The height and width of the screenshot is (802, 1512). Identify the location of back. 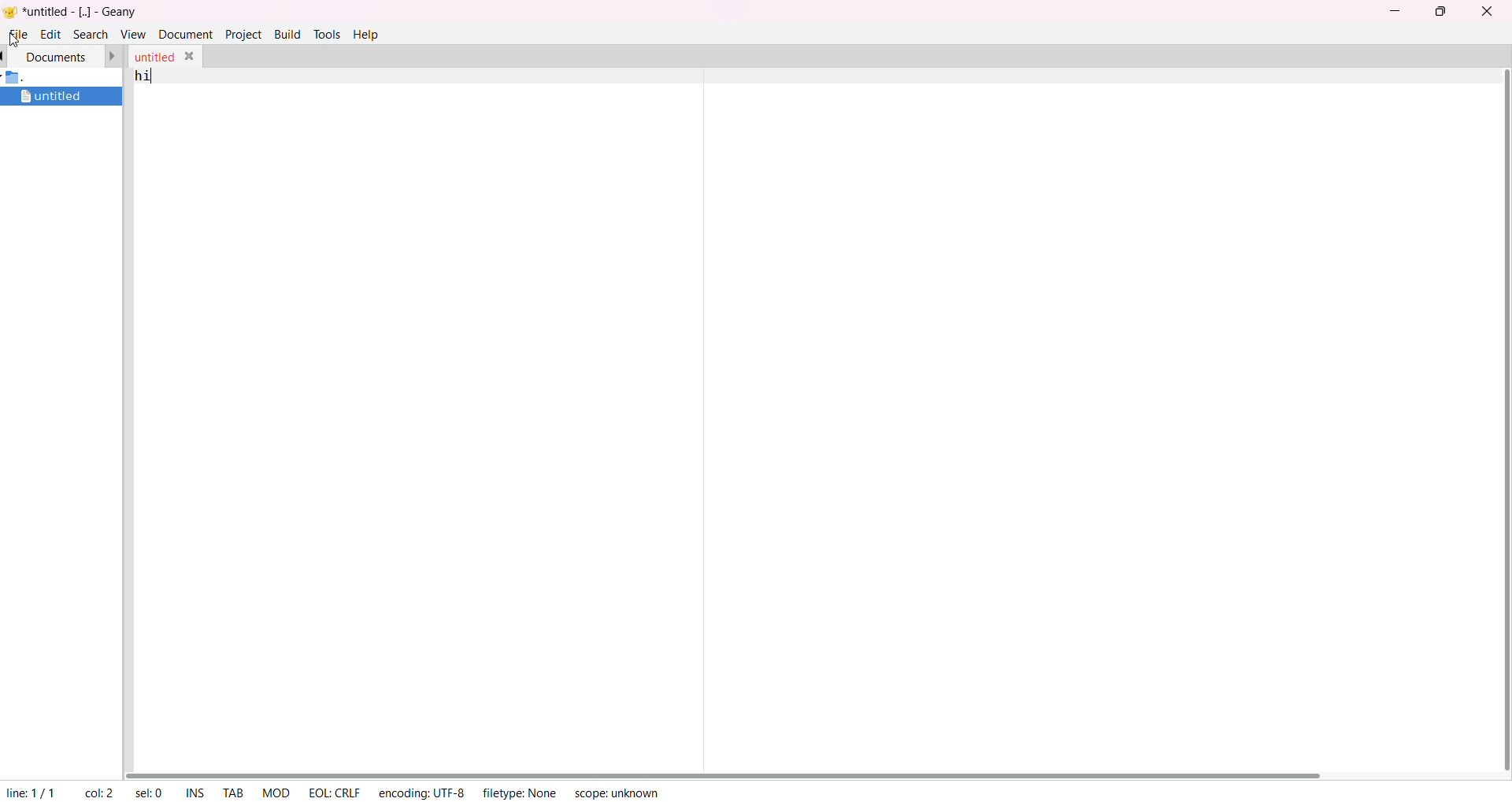
(5, 56).